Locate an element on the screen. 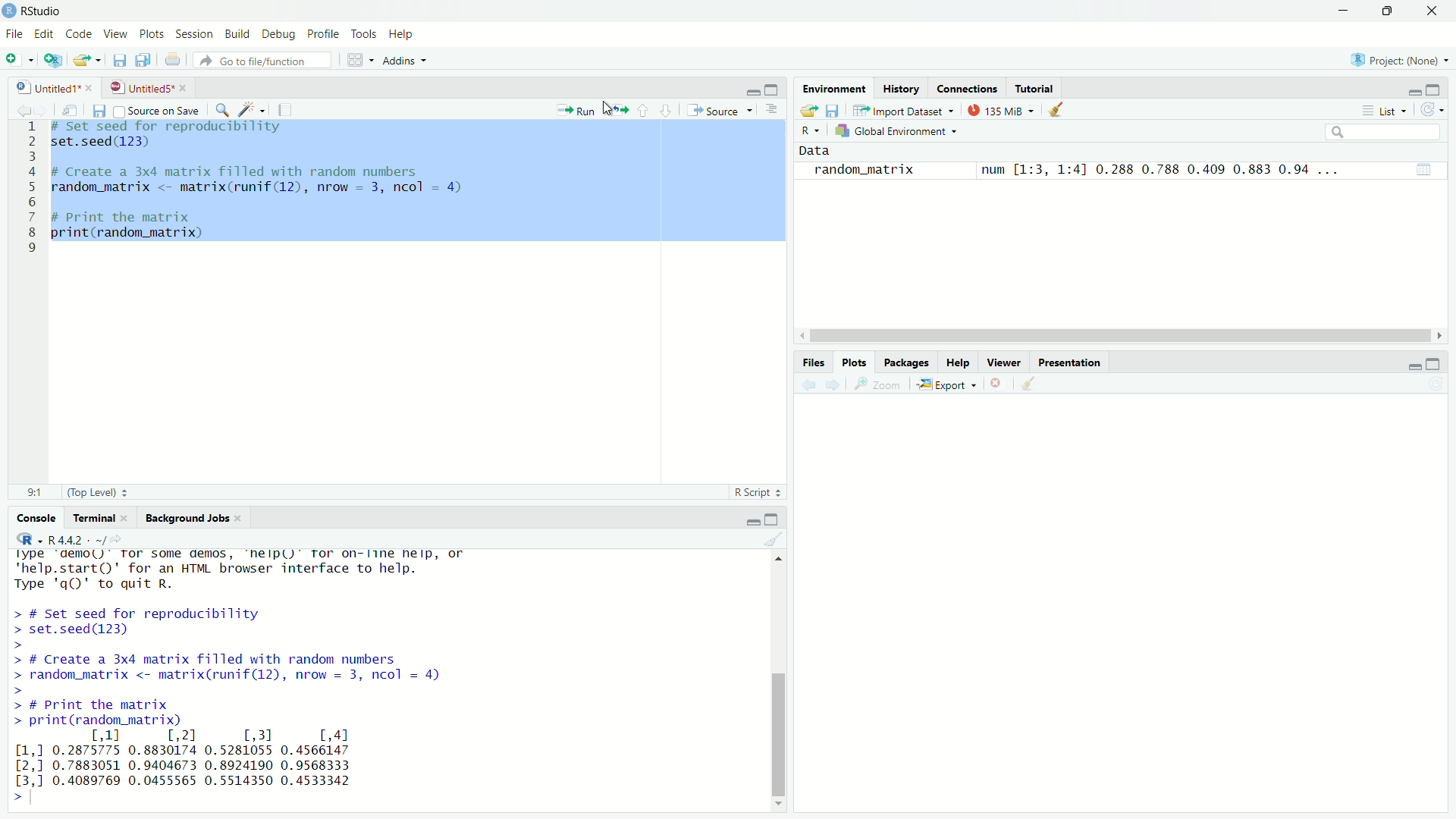 The height and width of the screenshot is (819, 1456). Untitled1* * is located at coordinates (52, 86).